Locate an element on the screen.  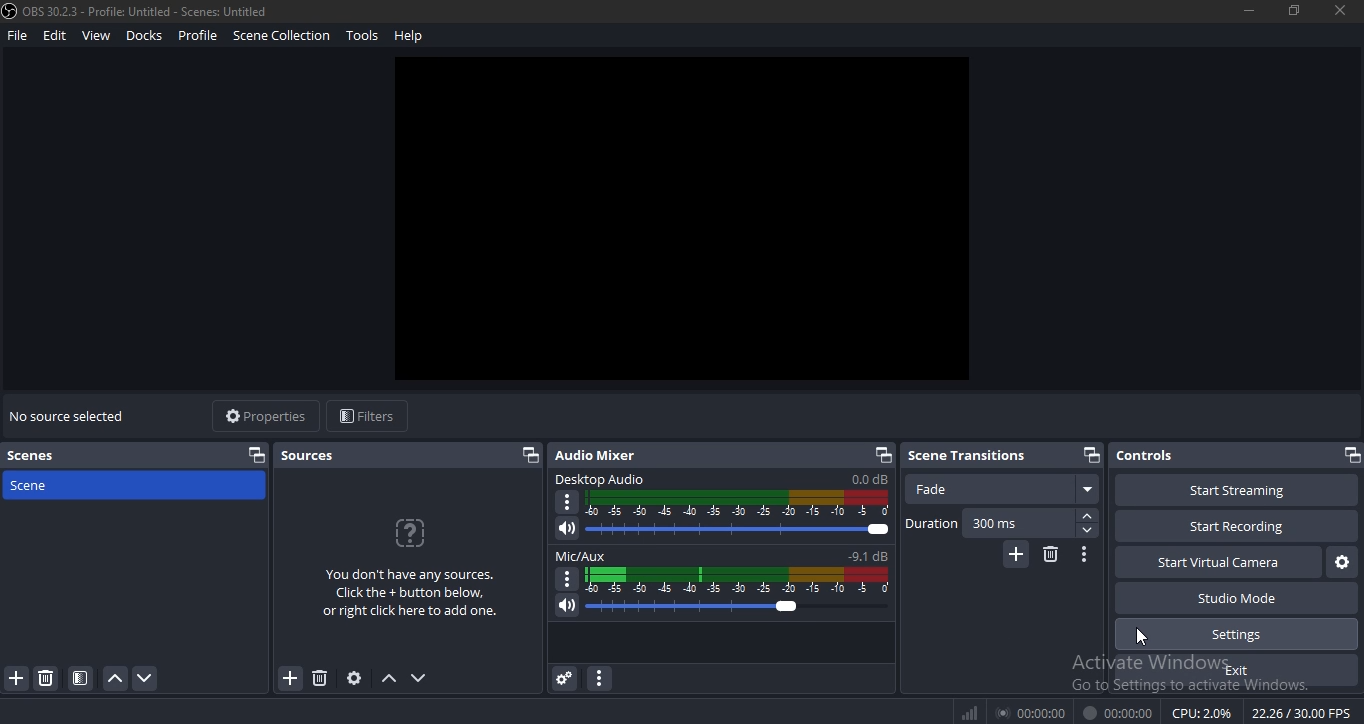
add scene is located at coordinates (17, 679).